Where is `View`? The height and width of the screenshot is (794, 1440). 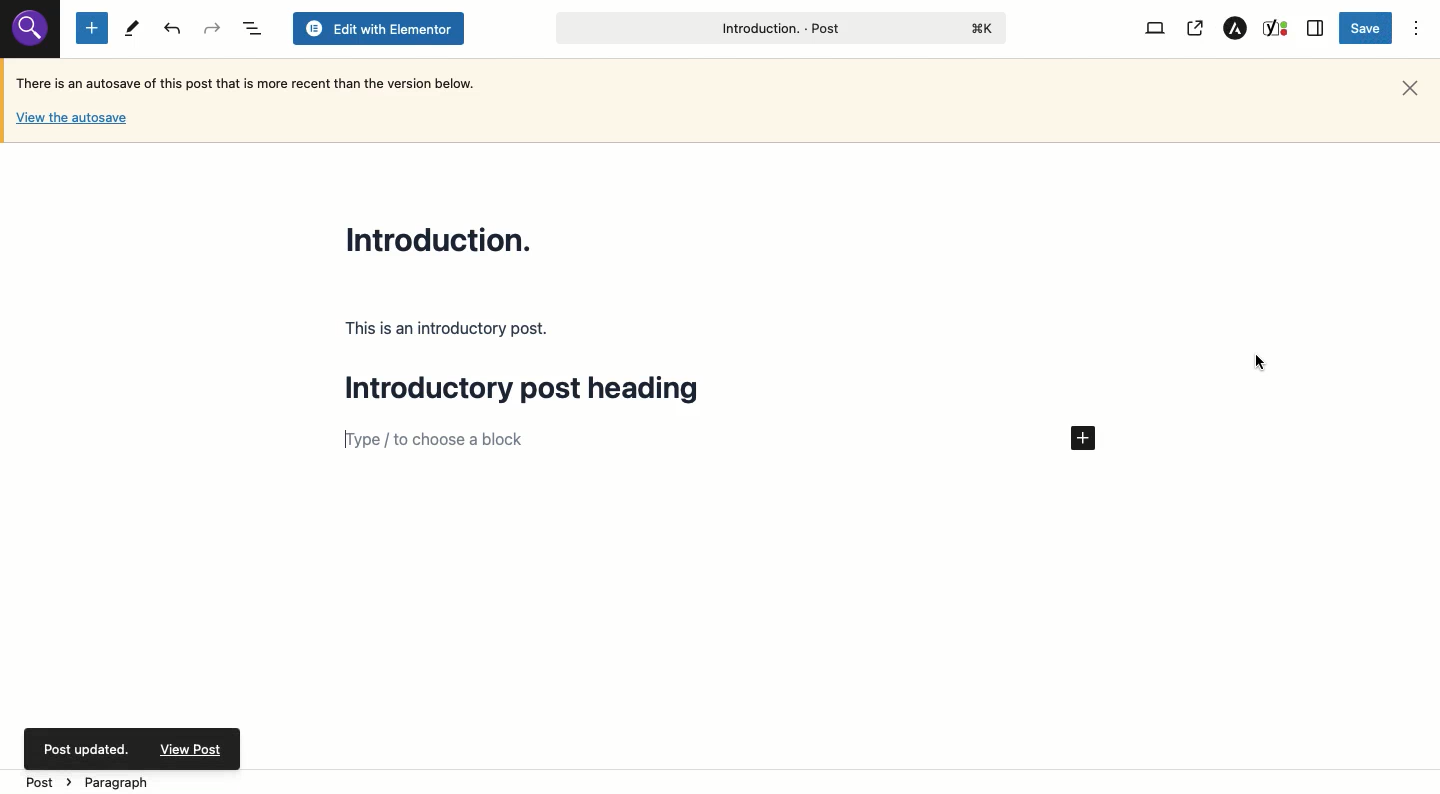
View is located at coordinates (1158, 29).